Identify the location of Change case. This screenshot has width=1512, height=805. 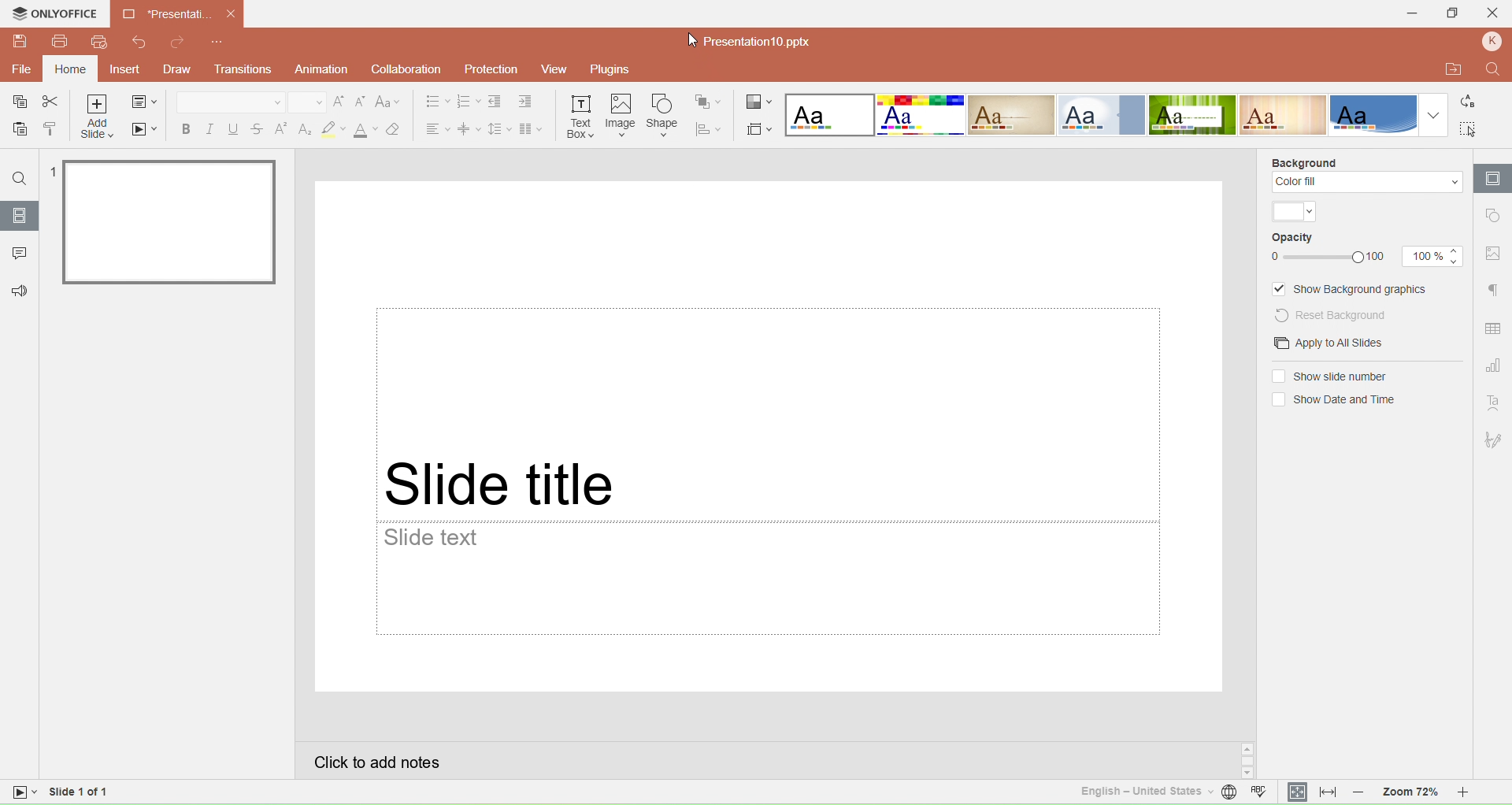
(390, 102).